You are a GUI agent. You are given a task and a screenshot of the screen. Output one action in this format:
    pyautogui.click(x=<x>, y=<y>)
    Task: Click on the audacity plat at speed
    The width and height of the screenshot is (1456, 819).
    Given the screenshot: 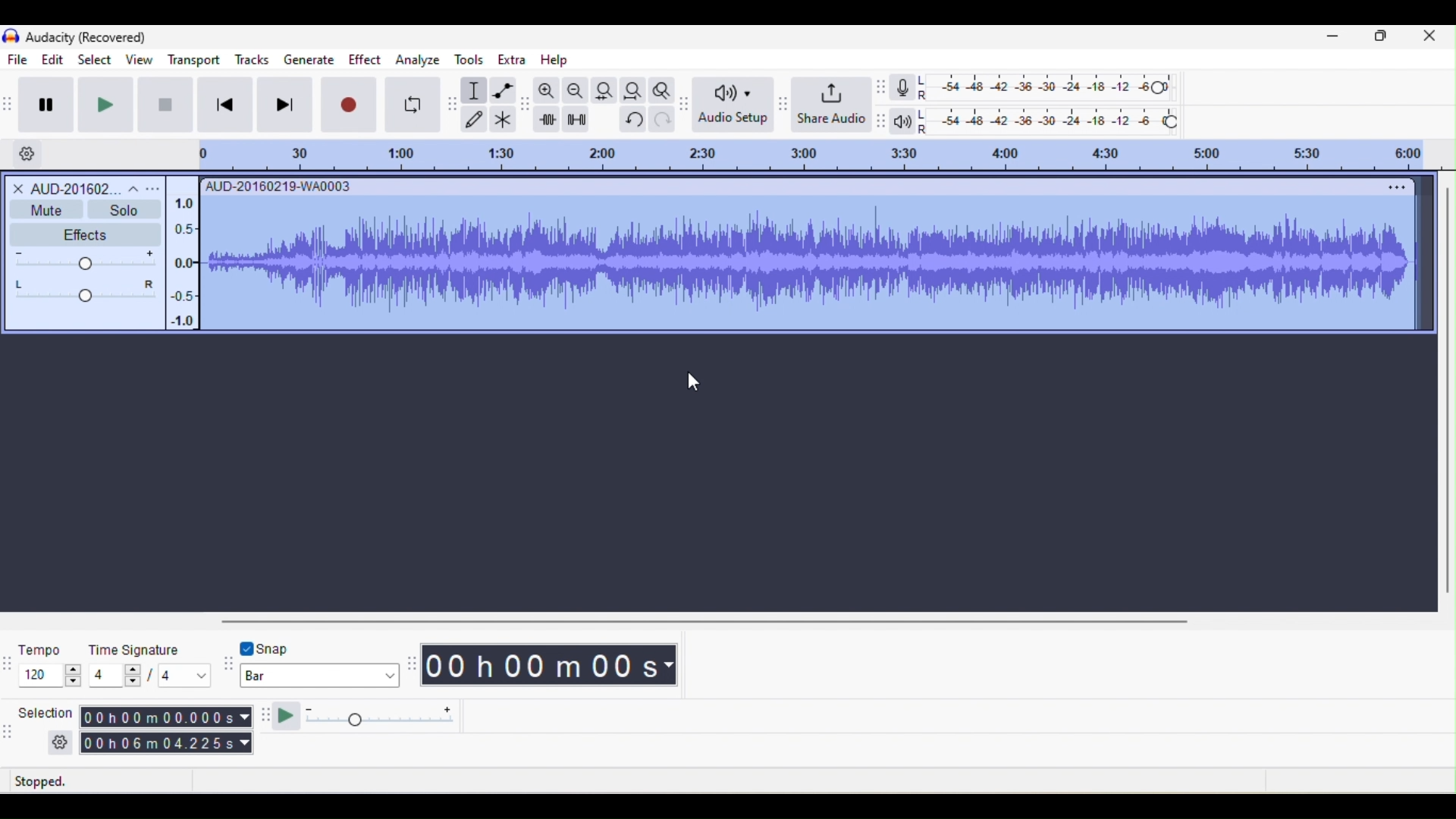 What is the action you would take?
    pyautogui.click(x=266, y=718)
    